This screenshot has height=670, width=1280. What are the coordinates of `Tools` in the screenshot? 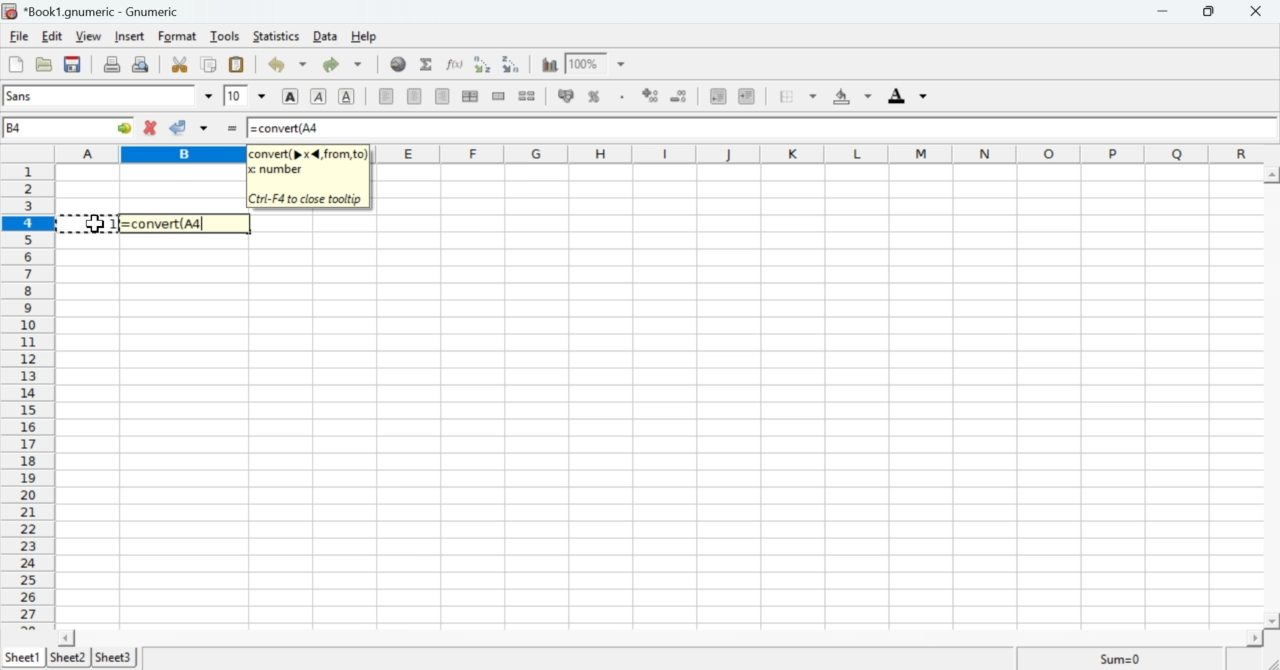 It's located at (226, 36).